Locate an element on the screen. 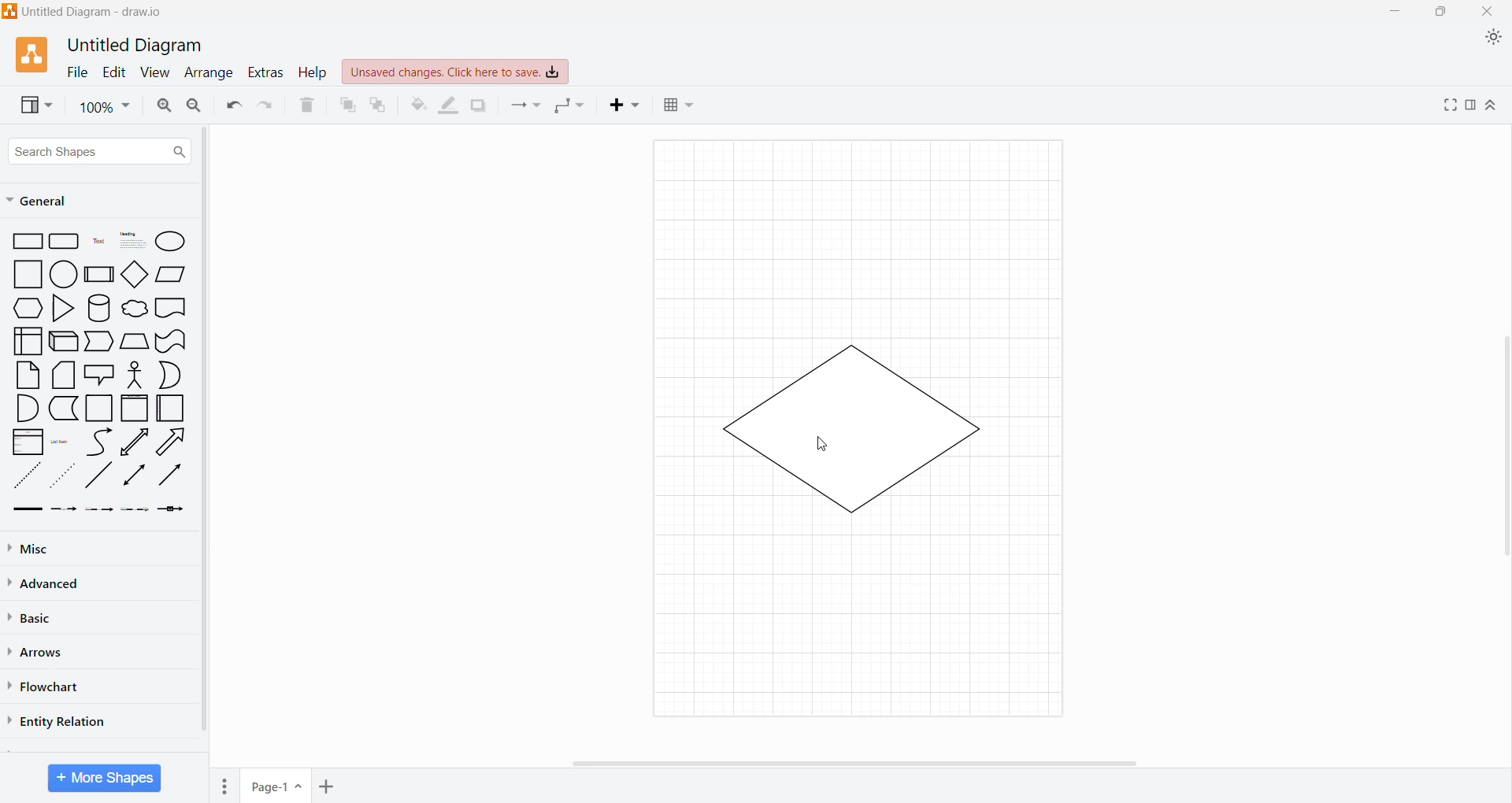 This screenshot has height=803, width=1512. Horizontal Scroll Bar is located at coordinates (858, 761).